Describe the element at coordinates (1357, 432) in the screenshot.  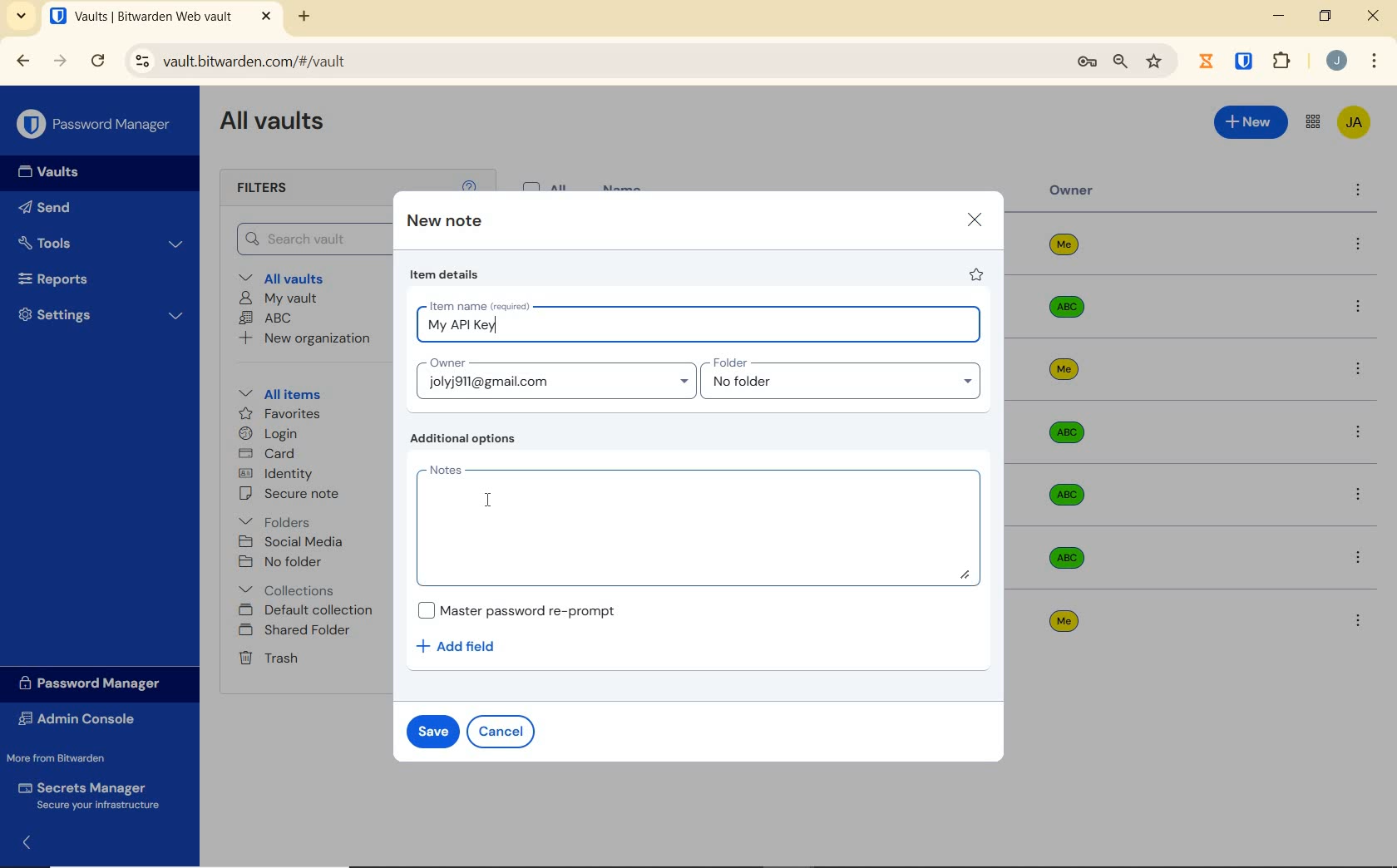
I see `more options` at that location.